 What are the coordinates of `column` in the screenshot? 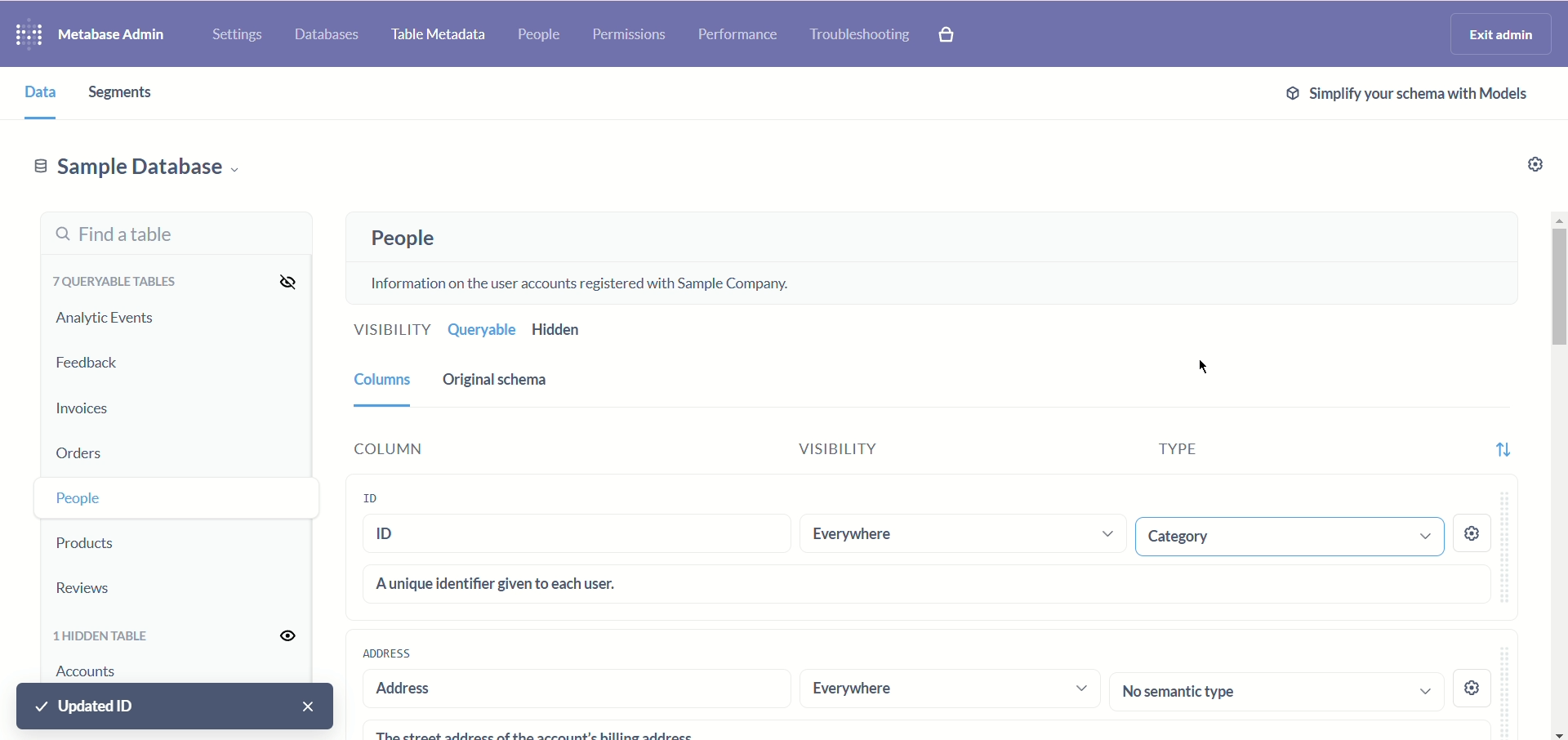 It's located at (443, 448).